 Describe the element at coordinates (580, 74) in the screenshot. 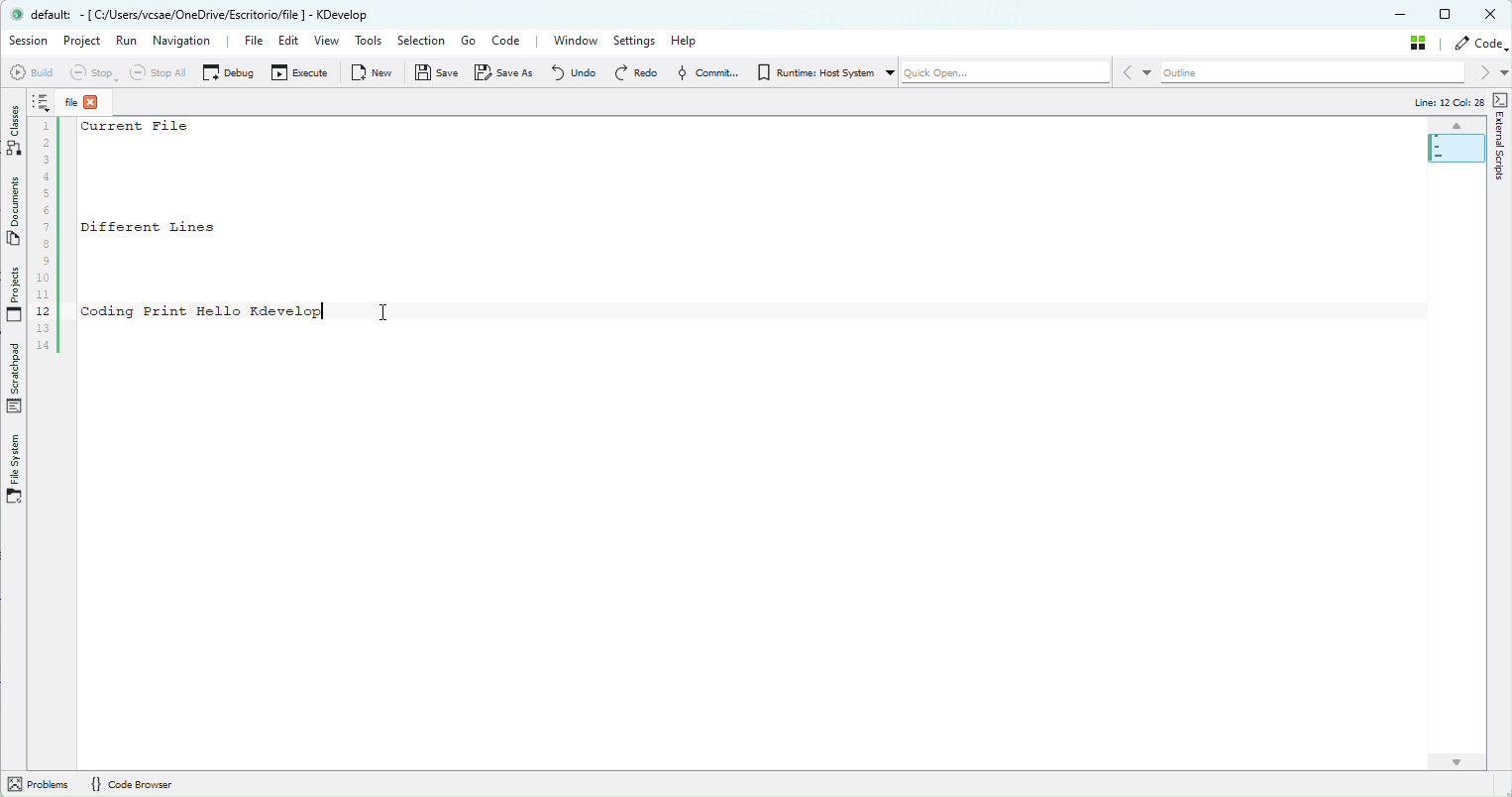

I see `Undo` at that location.